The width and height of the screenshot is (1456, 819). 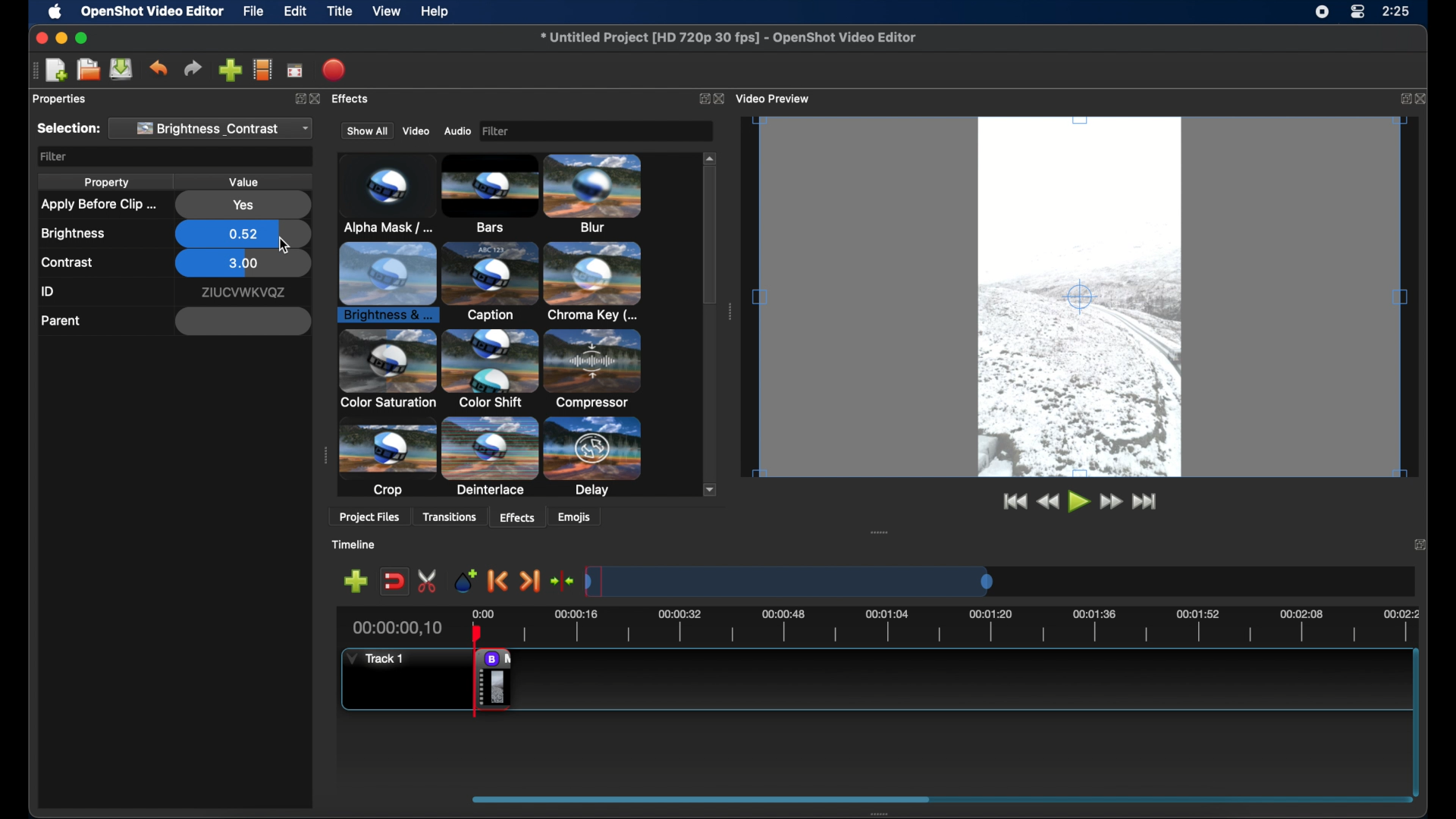 I want to click on id, so click(x=243, y=293).